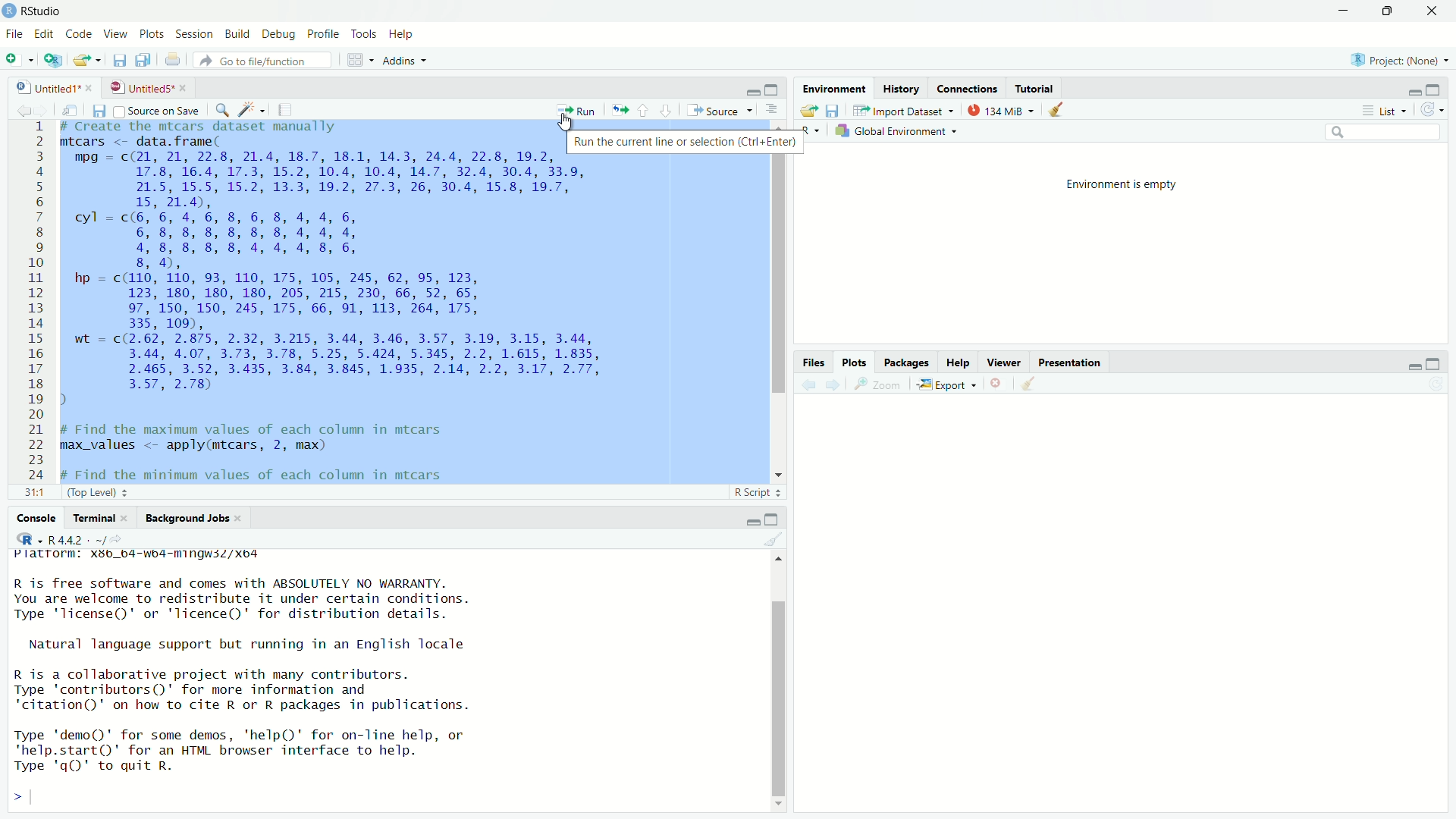 The width and height of the screenshot is (1456, 819). I want to click on Help, so click(953, 360).